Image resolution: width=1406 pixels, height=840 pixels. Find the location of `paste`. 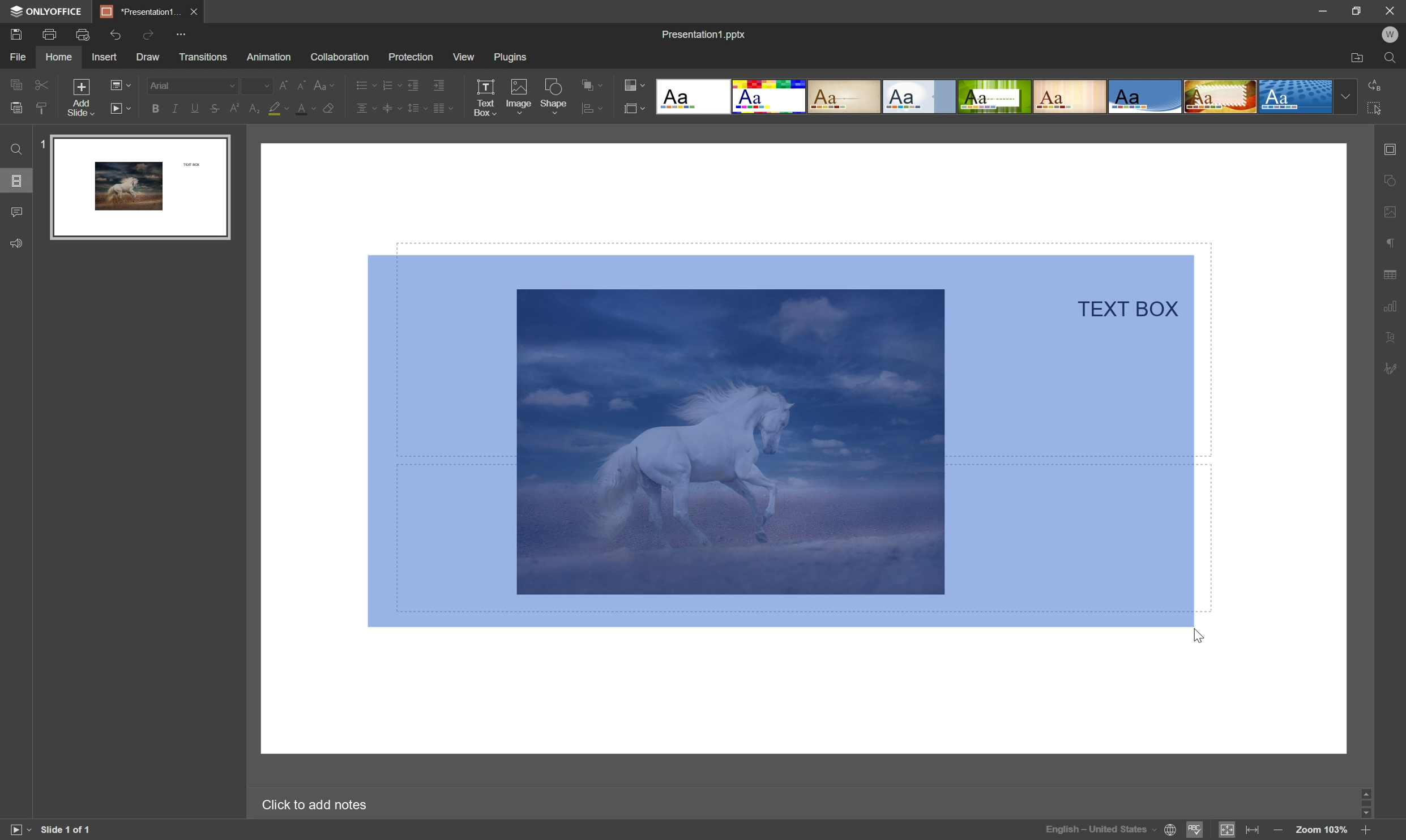

paste is located at coordinates (16, 108).